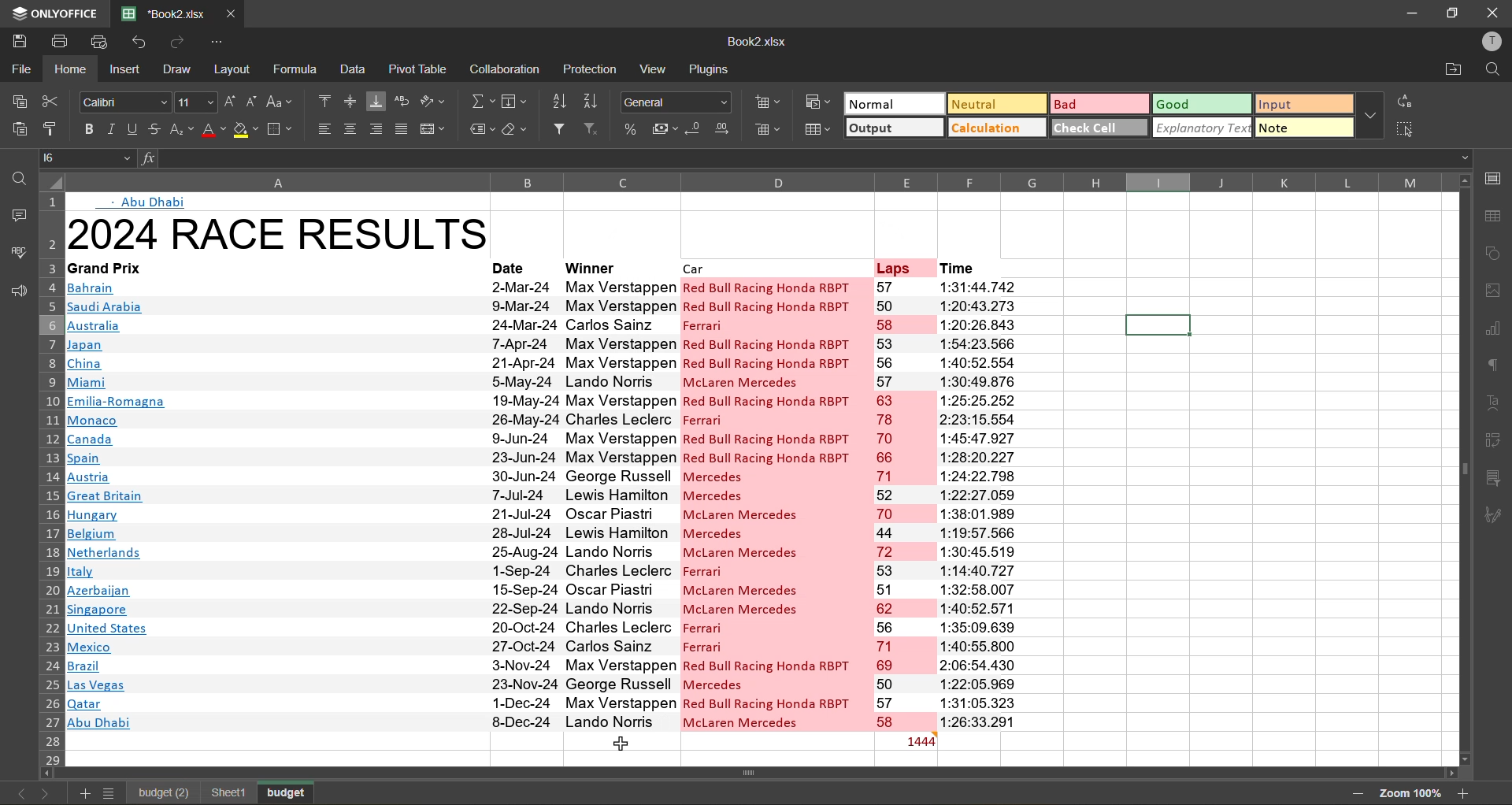 The height and width of the screenshot is (805, 1512). I want to click on sheet list, so click(112, 793).